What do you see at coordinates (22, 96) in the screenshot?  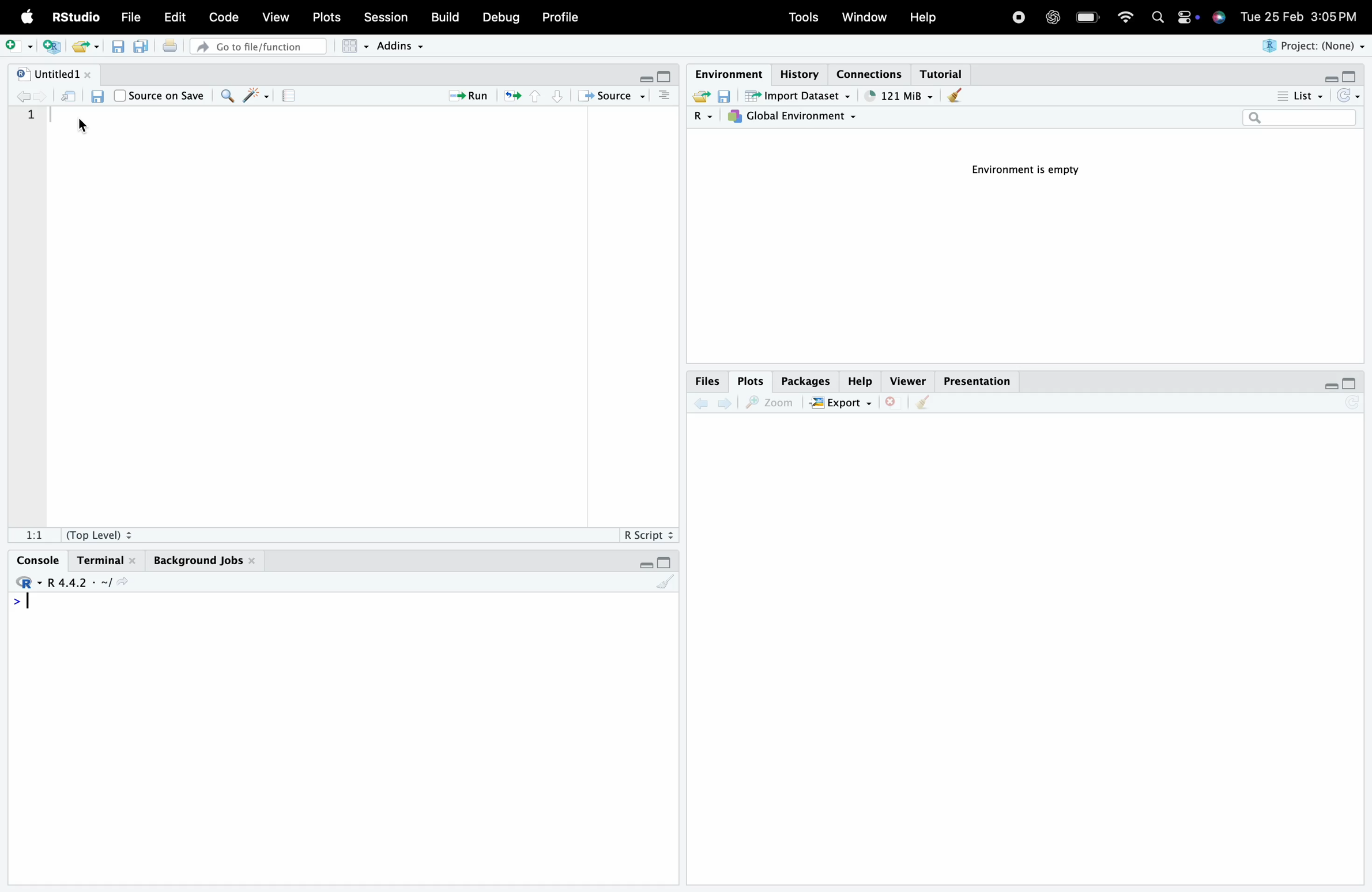 I see `Go back to the previous source location (Ctrl + F9)` at bounding box center [22, 96].